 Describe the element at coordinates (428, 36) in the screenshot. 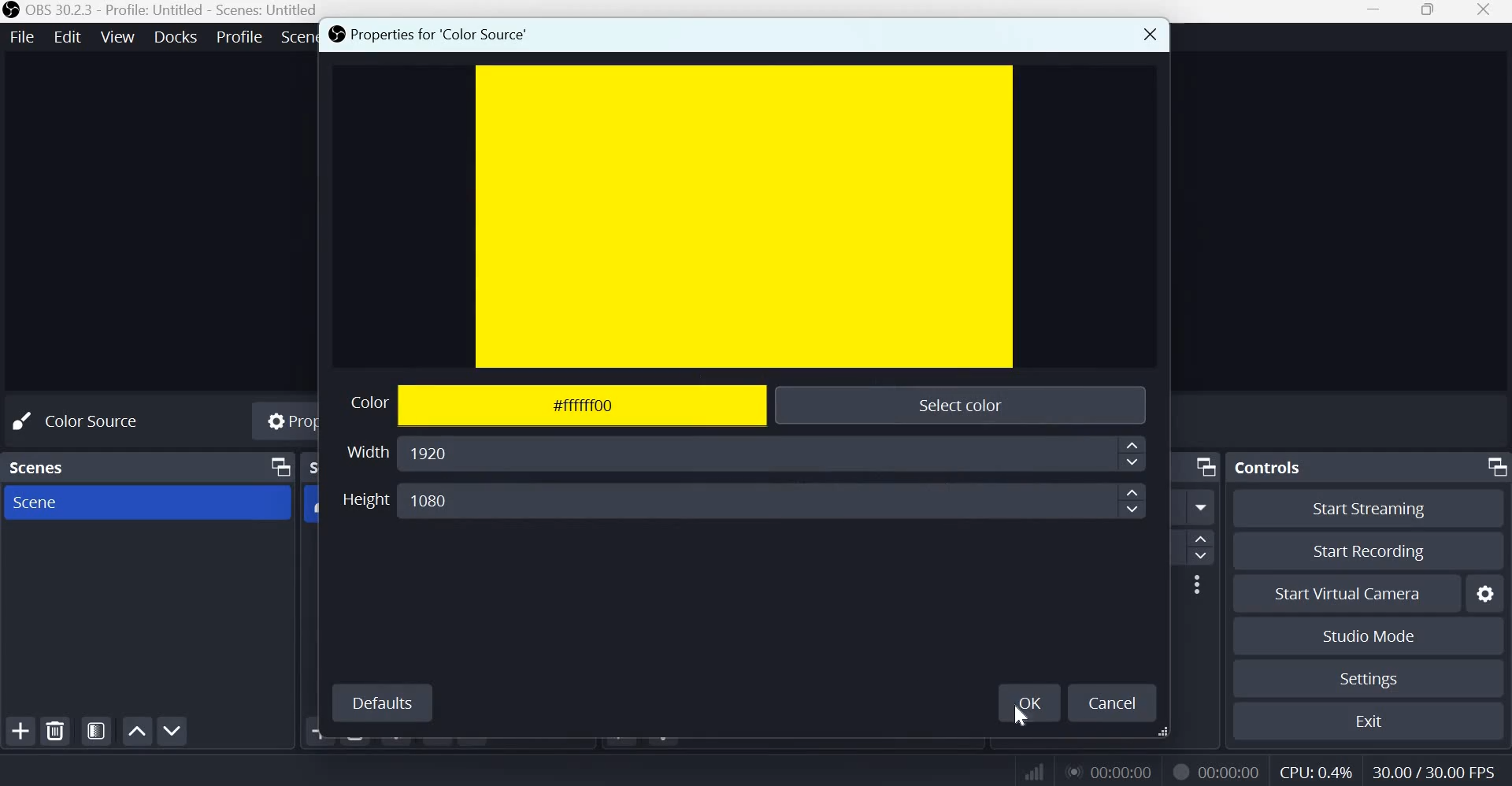

I see `Properties for 'Color source'` at that location.